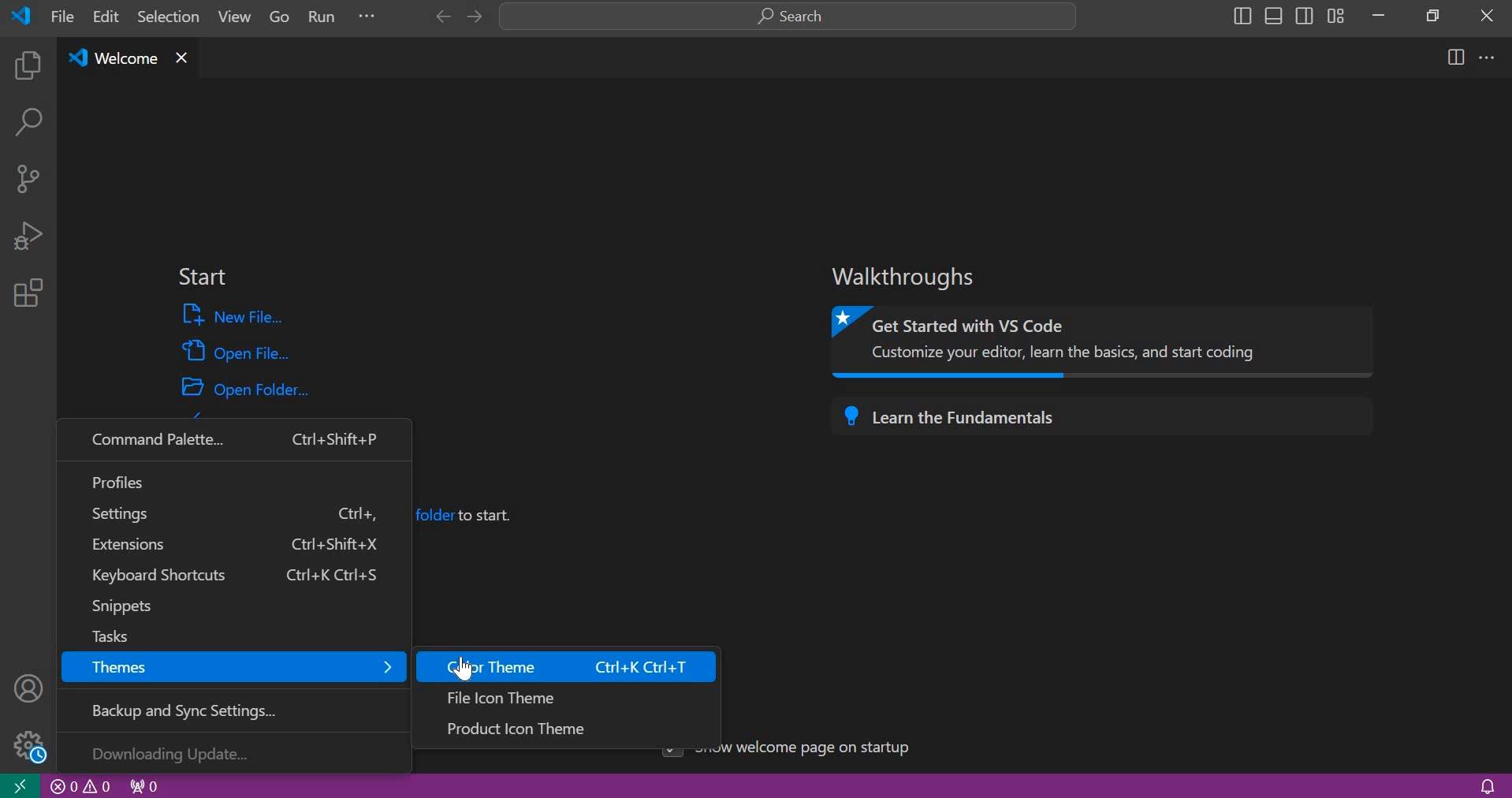 The height and width of the screenshot is (798, 1512). I want to click on product icon theme, so click(569, 728).